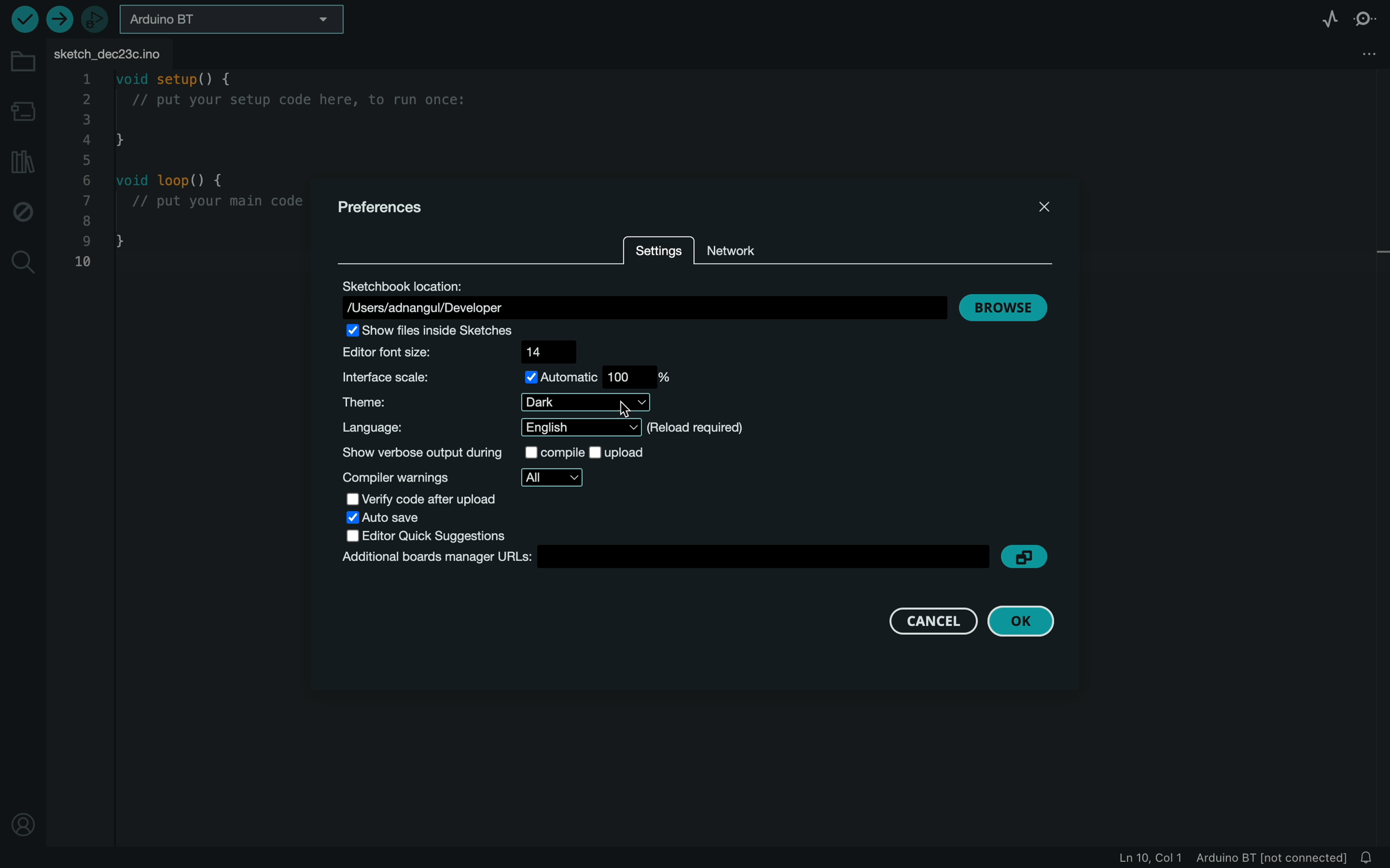 The height and width of the screenshot is (868, 1390). I want to click on cancel, so click(933, 621).